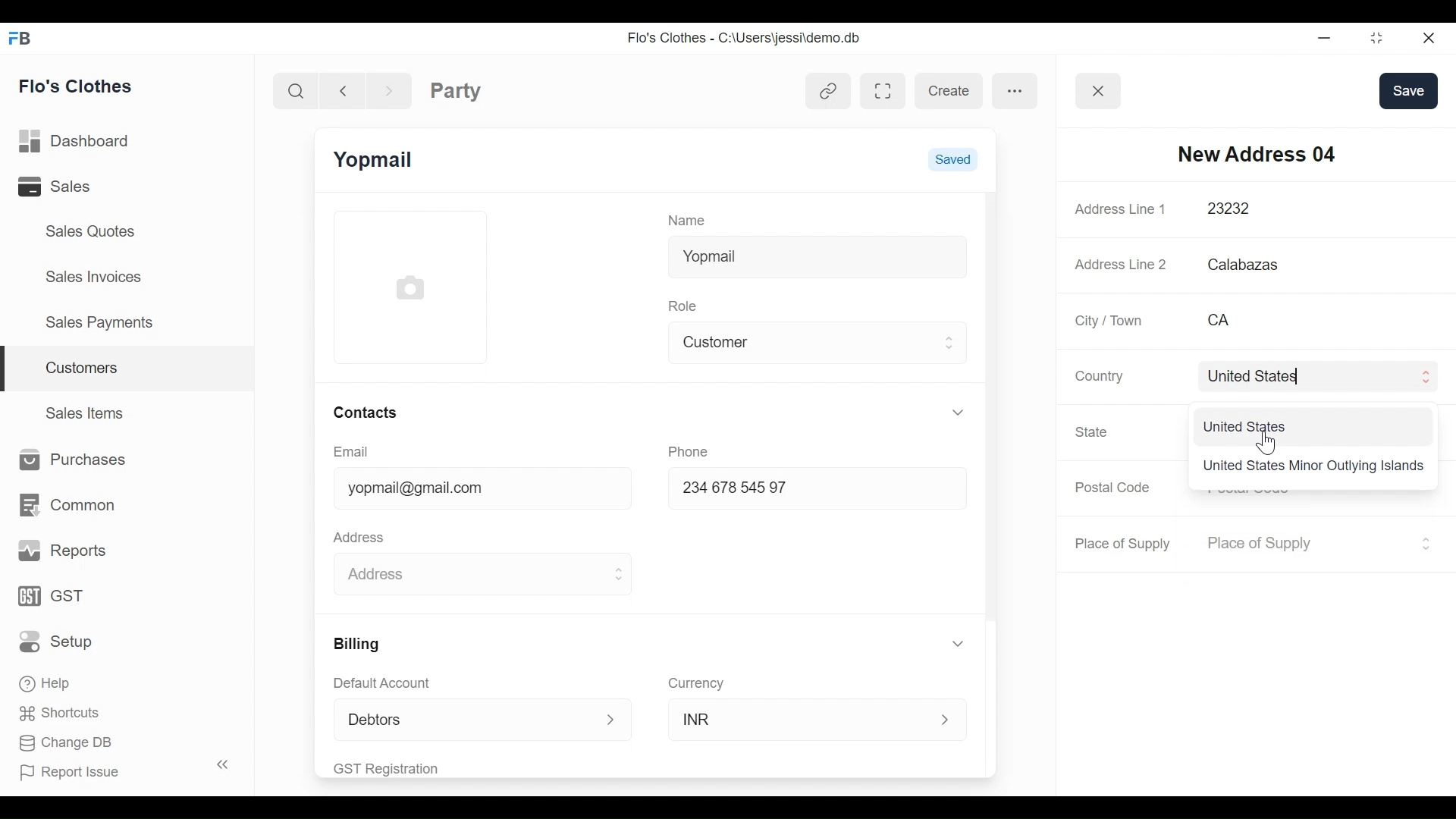 This screenshot has width=1456, height=819. I want to click on Expand, so click(1426, 377).